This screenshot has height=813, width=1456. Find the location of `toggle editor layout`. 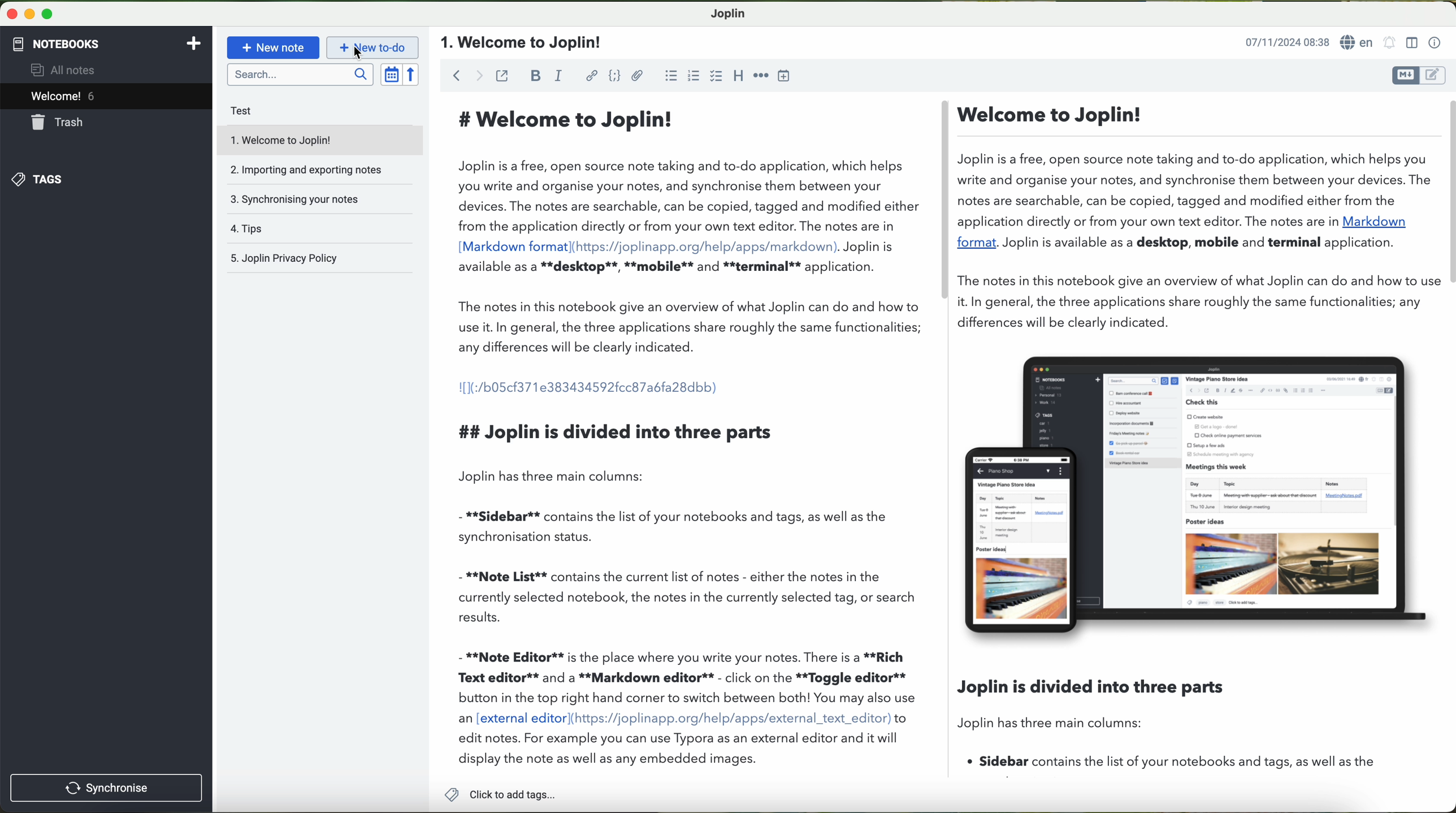

toggle editor layout is located at coordinates (1411, 44).